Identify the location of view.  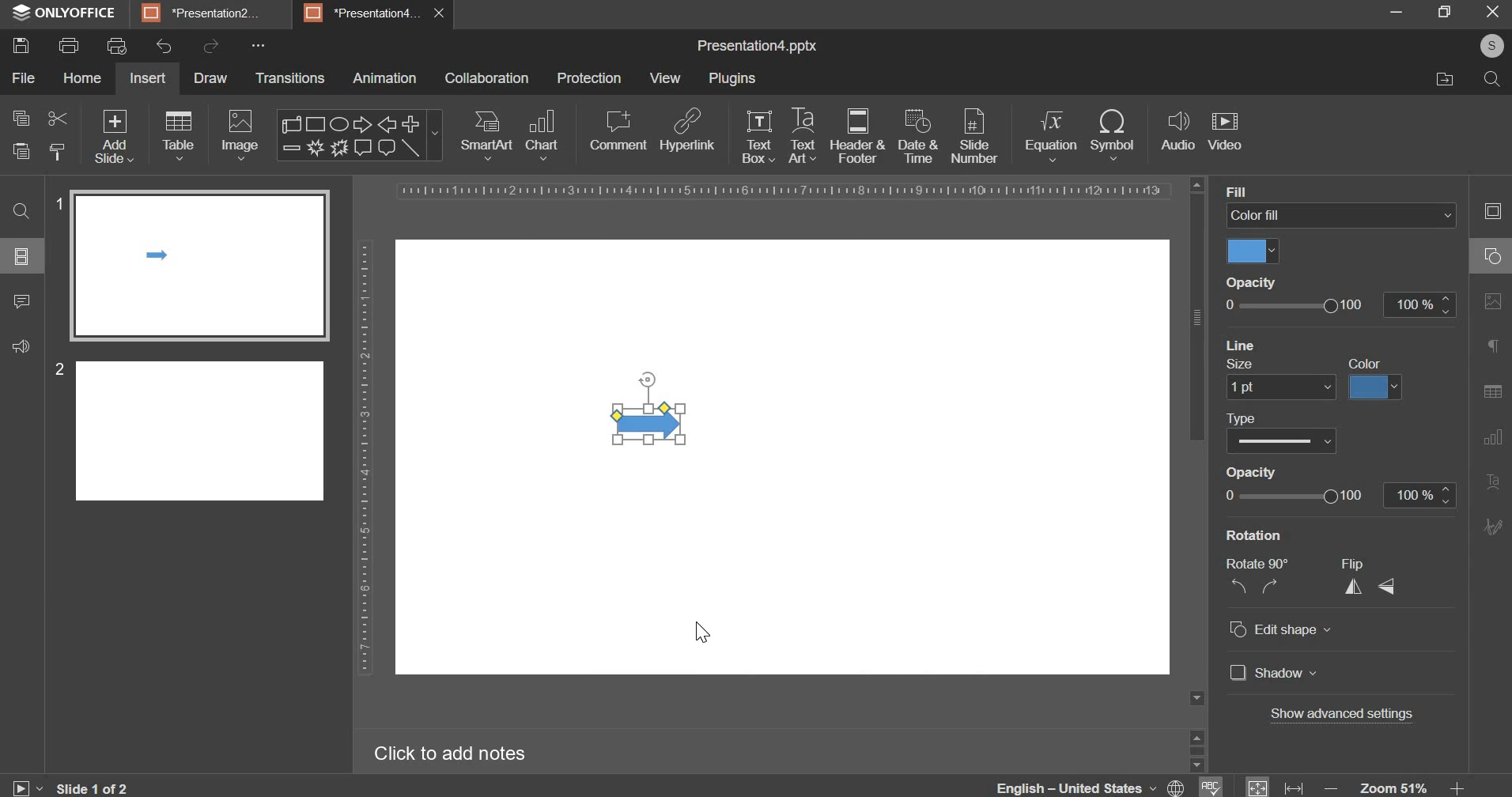
(663, 78).